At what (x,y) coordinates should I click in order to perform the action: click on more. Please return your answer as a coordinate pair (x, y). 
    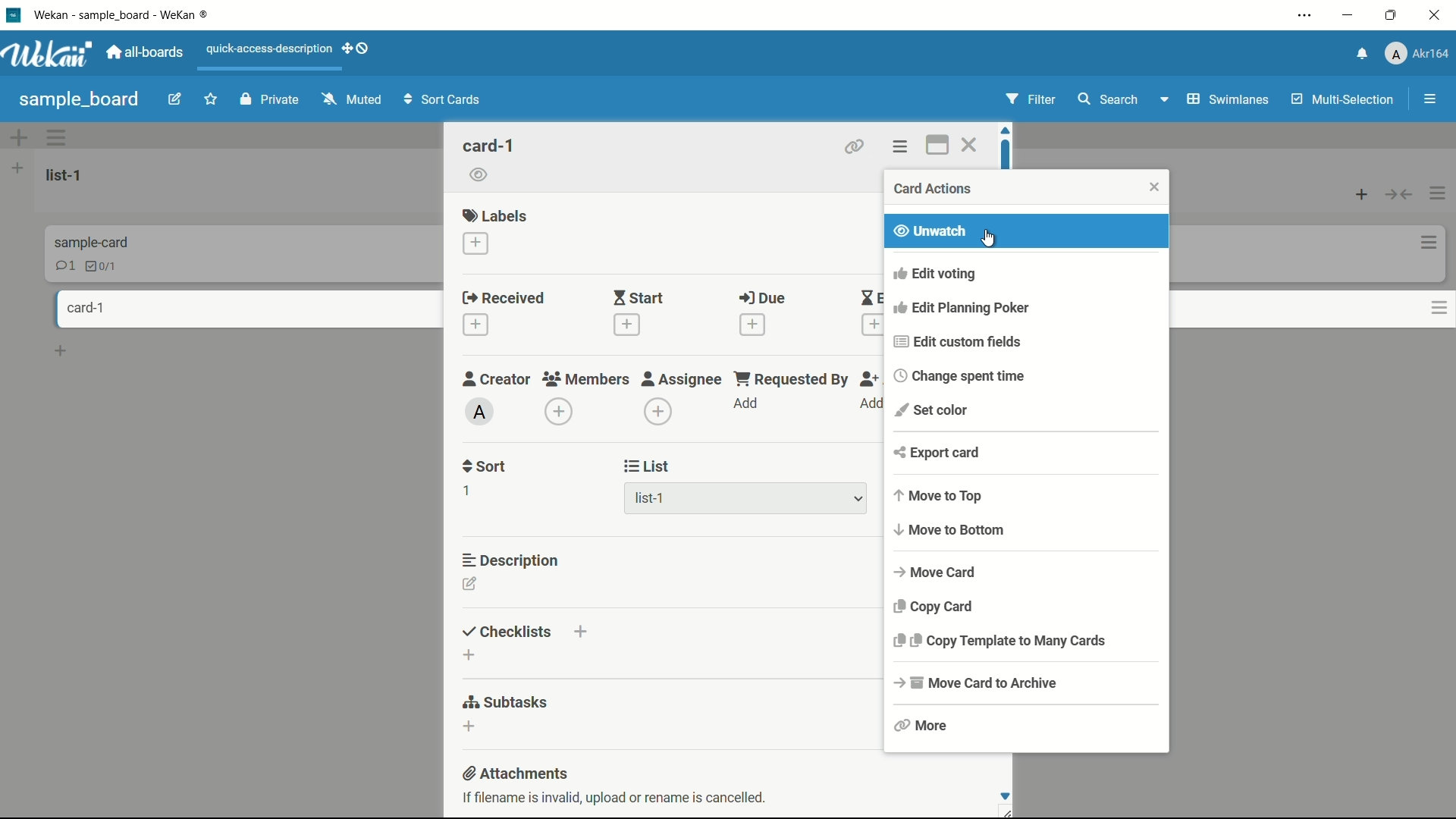
    Looking at the image, I should click on (924, 727).